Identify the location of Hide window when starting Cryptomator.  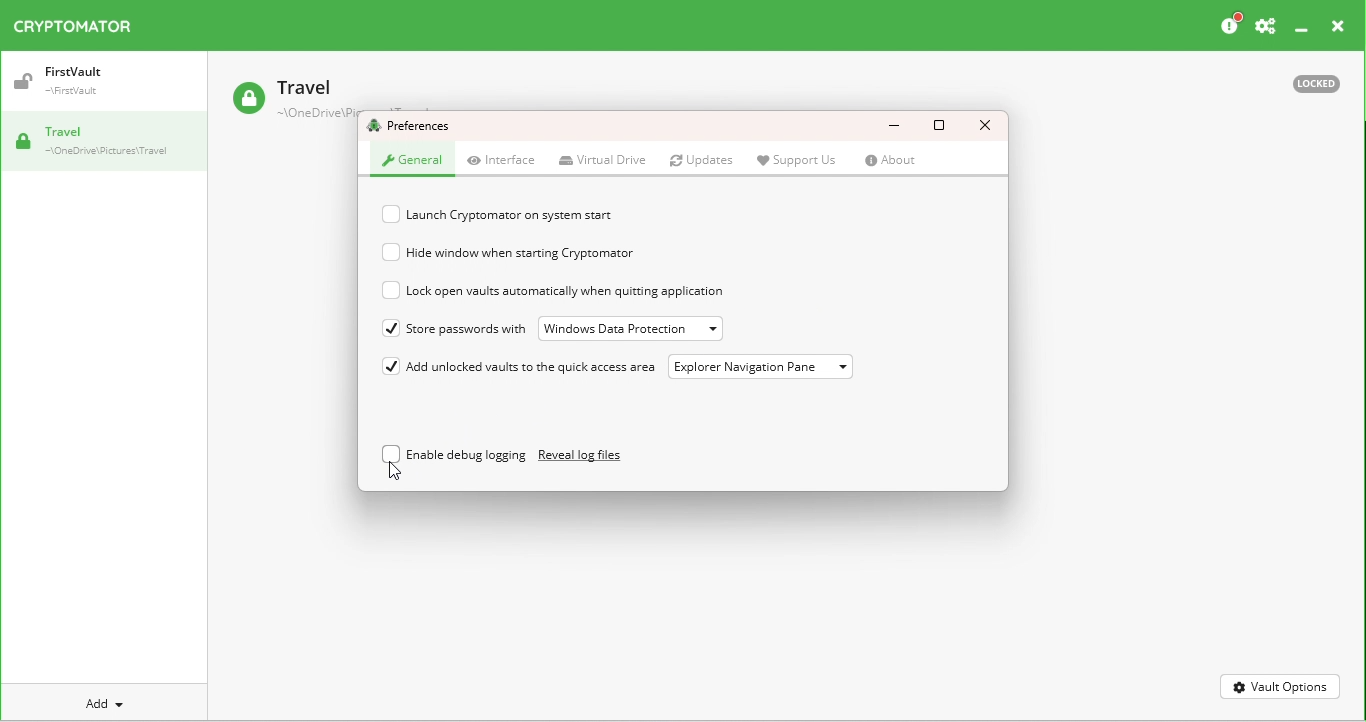
(555, 253).